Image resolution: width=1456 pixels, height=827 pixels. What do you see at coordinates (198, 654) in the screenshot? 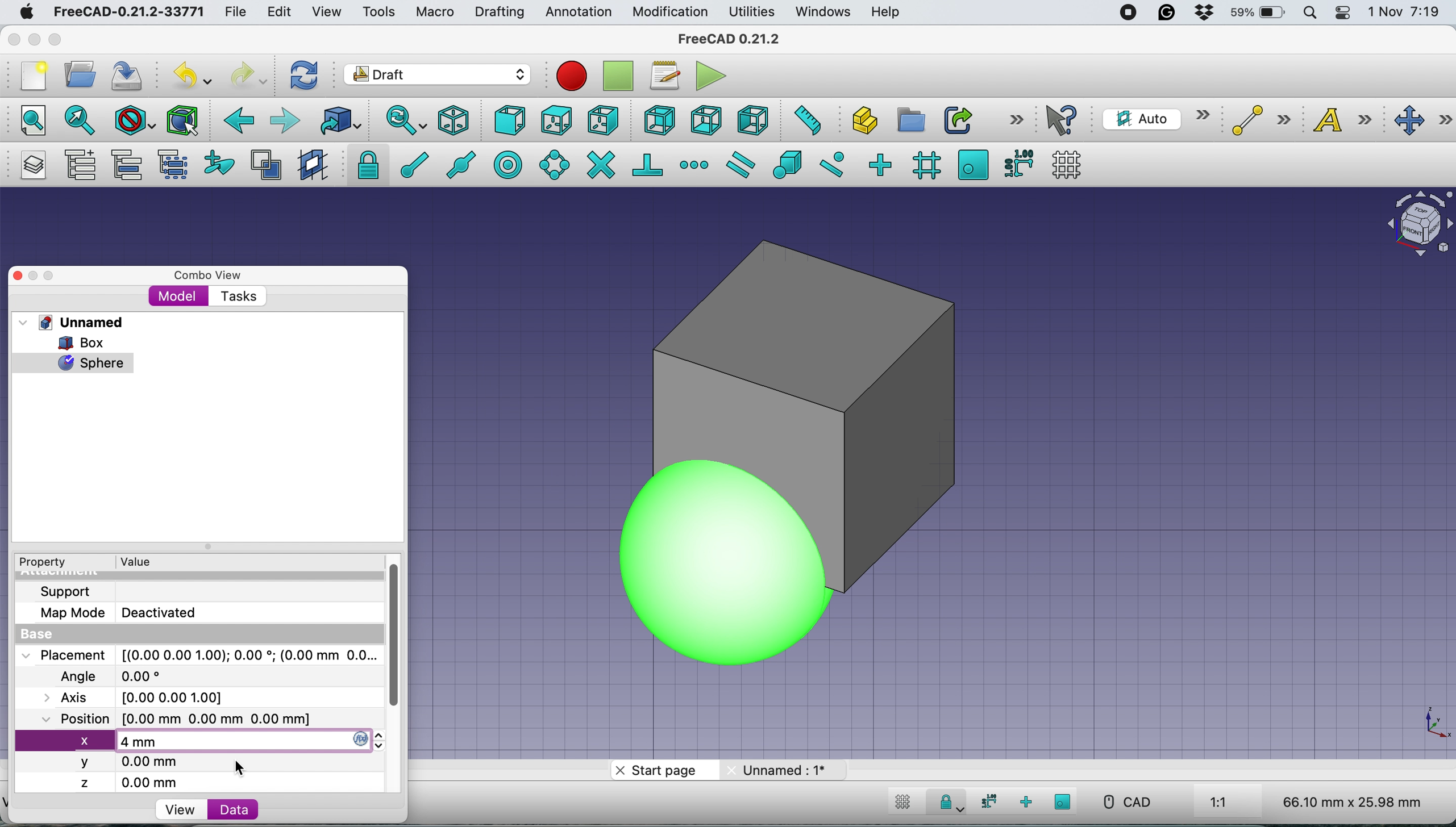
I see `placement` at bounding box center [198, 654].